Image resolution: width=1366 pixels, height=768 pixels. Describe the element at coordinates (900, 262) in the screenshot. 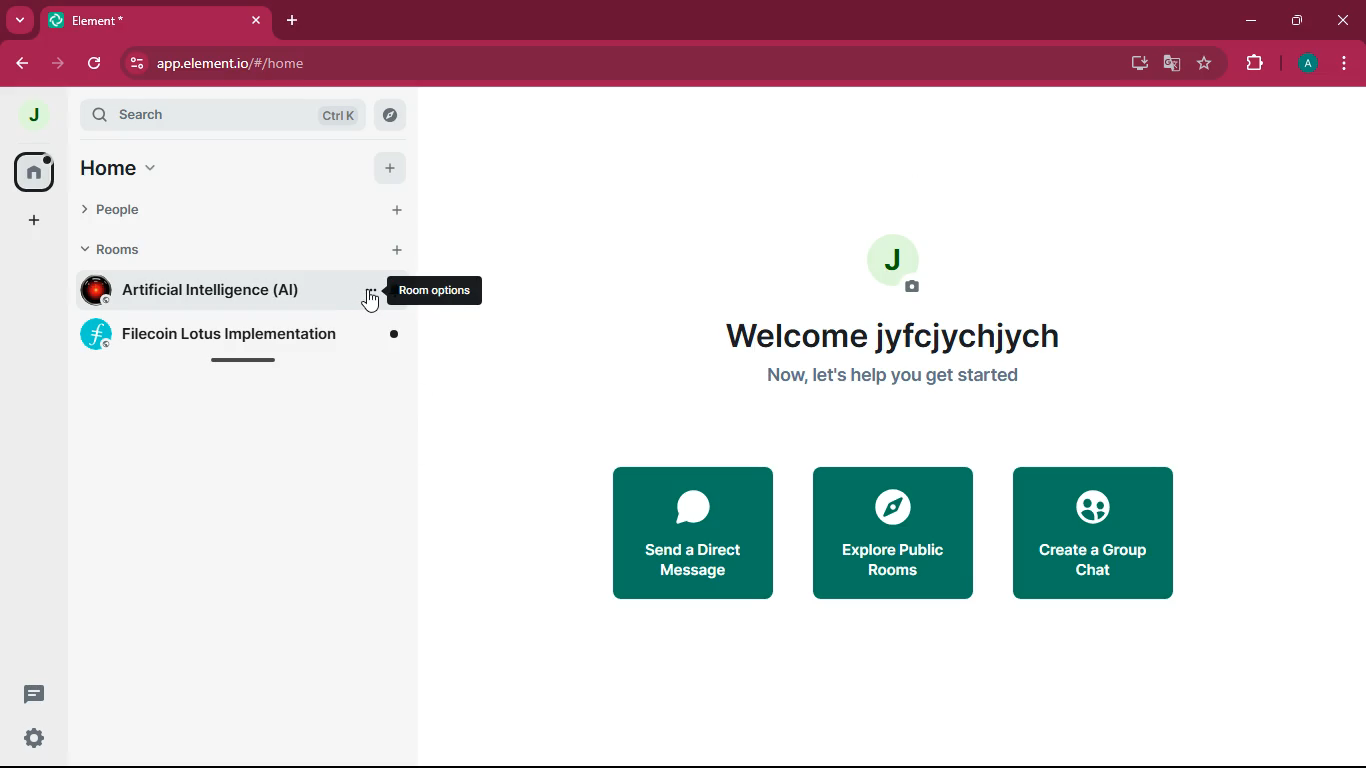

I see `profile picture` at that location.